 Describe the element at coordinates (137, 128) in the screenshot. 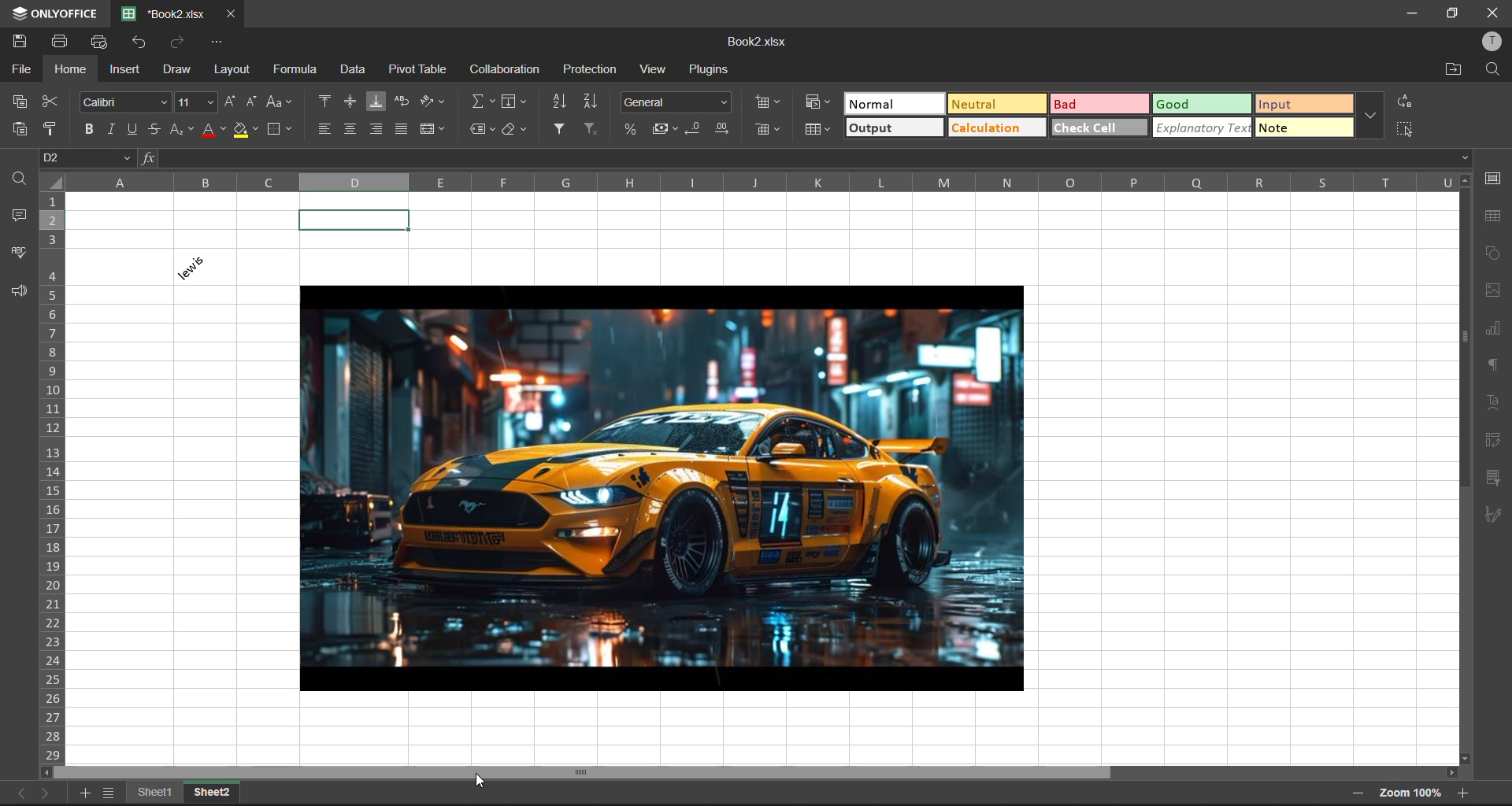

I see `underline` at that location.